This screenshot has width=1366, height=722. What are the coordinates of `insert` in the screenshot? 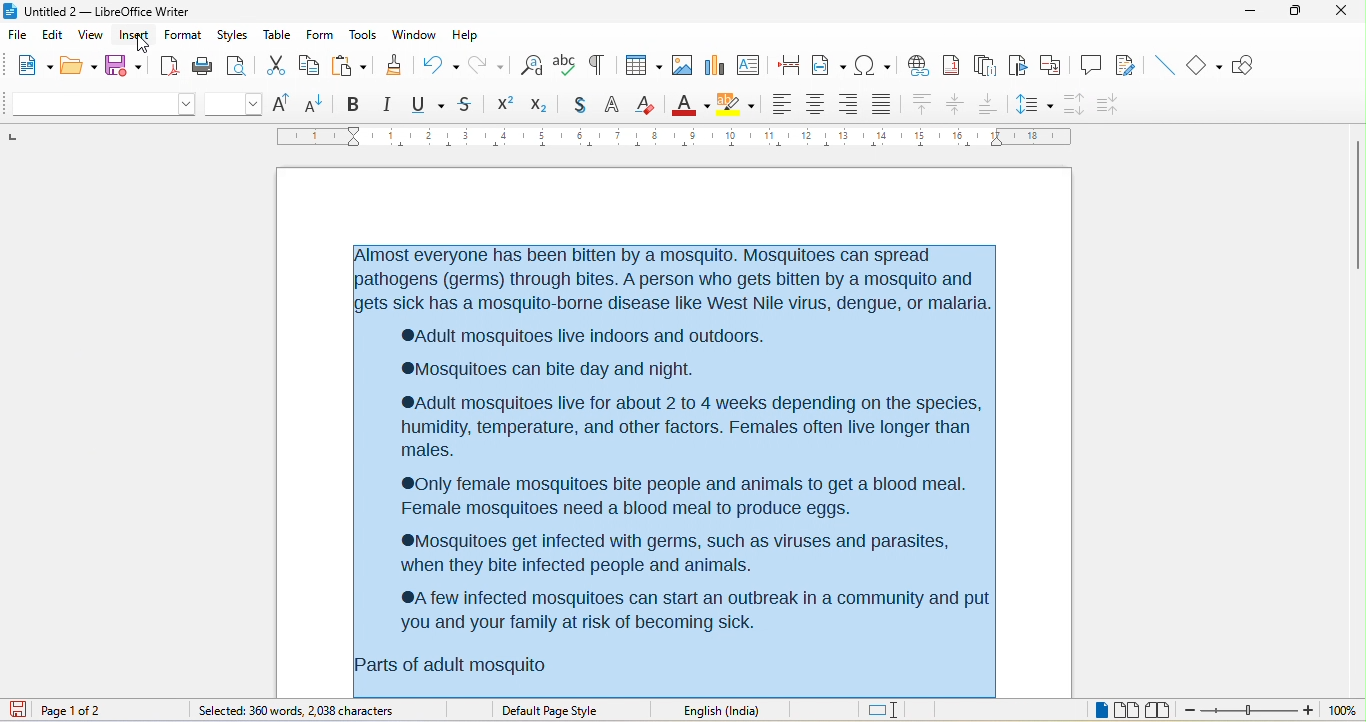 It's located at (134, 34).